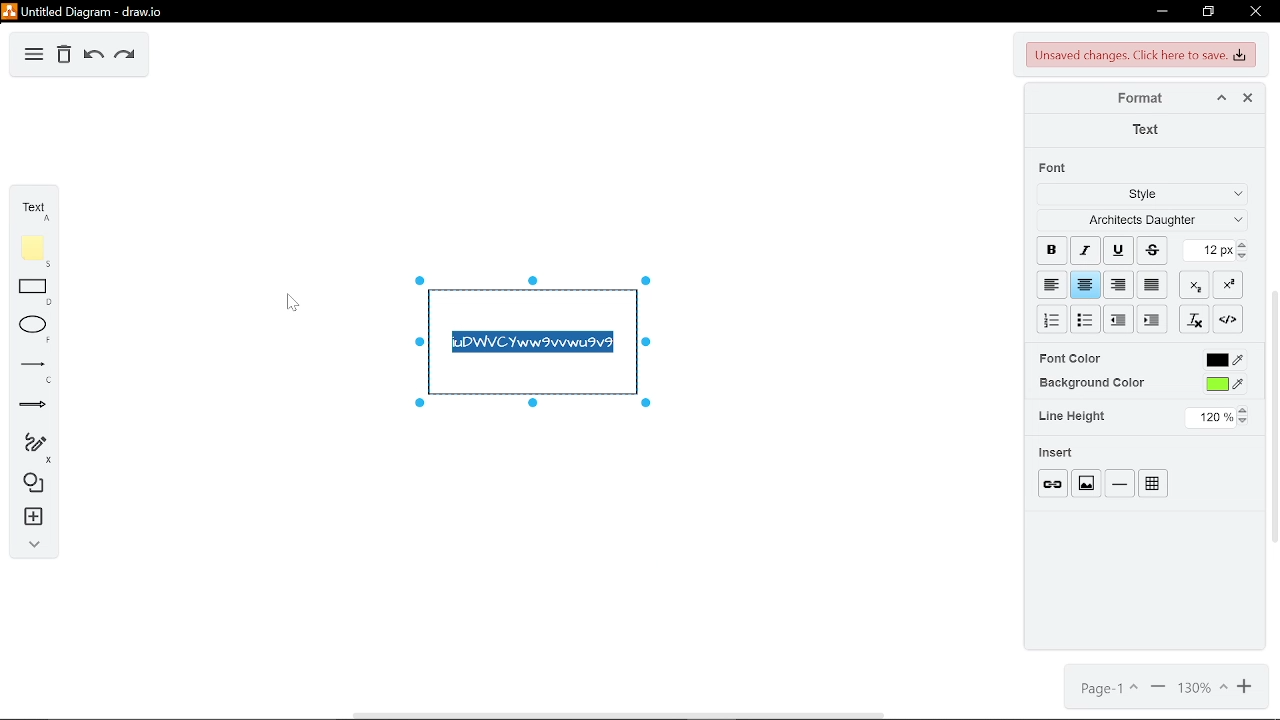 The height and width of the screenshot is (720, 1280). I want to click on zoom in, so click(1242, 690).